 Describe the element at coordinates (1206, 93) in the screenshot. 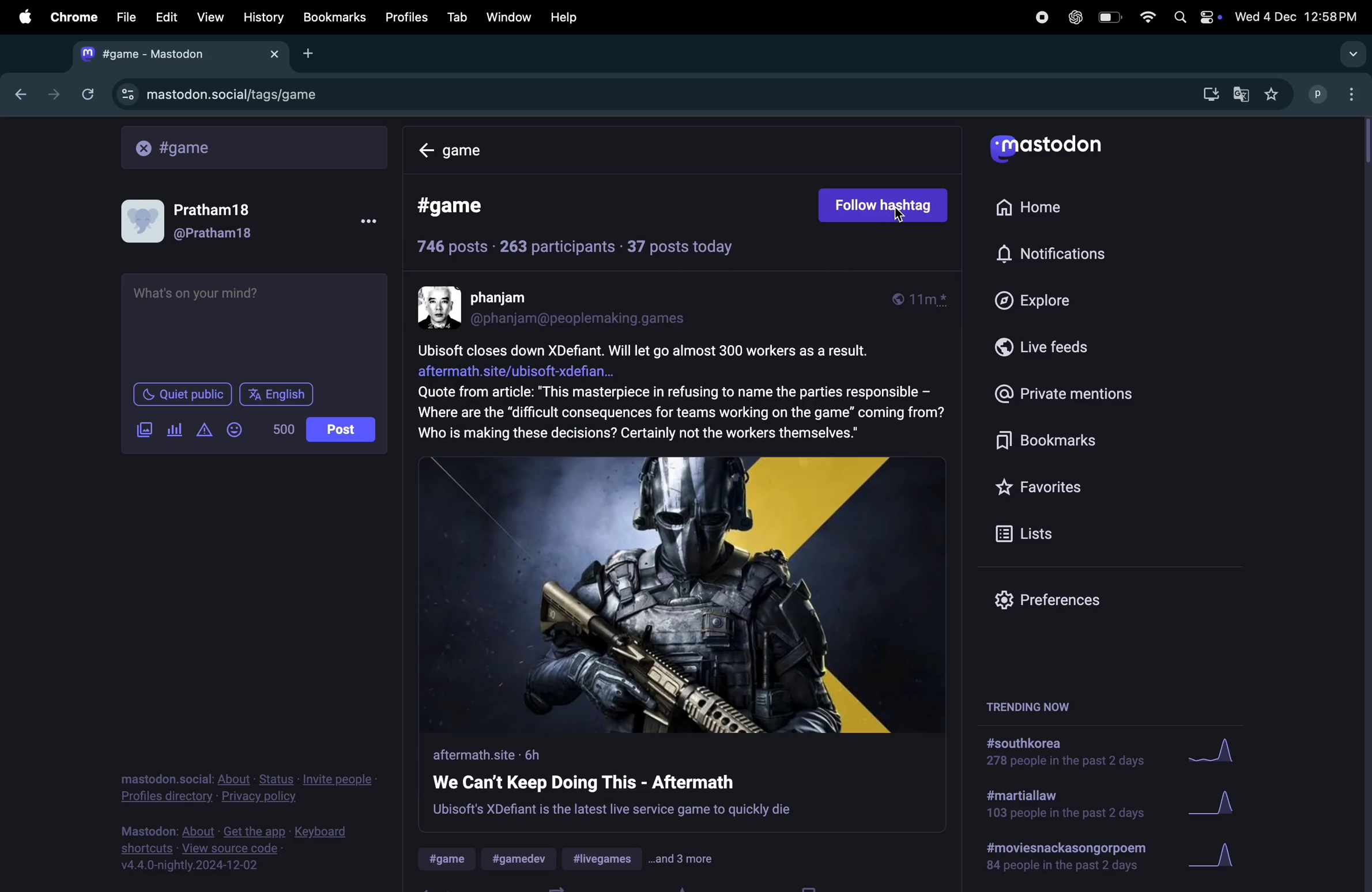

I see `download` at that location.